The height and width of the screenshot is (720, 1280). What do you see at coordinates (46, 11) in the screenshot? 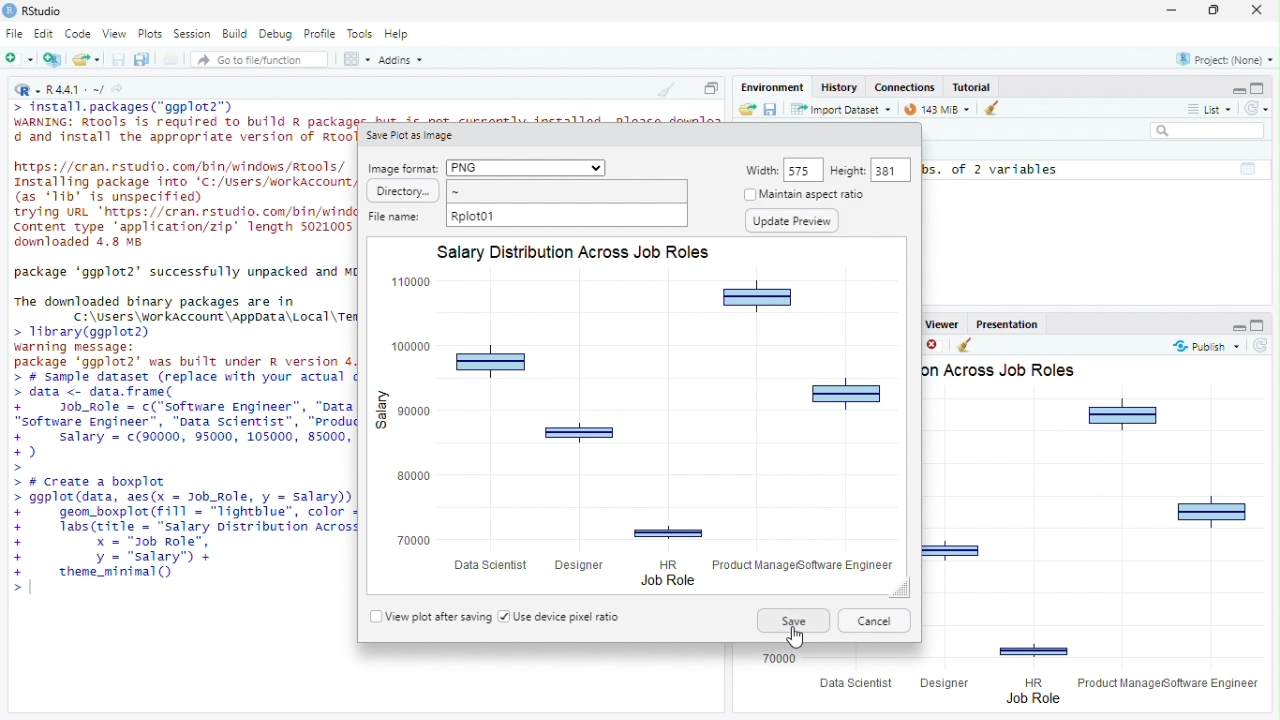
I see `RStudio` at bounding box center [46, 11].